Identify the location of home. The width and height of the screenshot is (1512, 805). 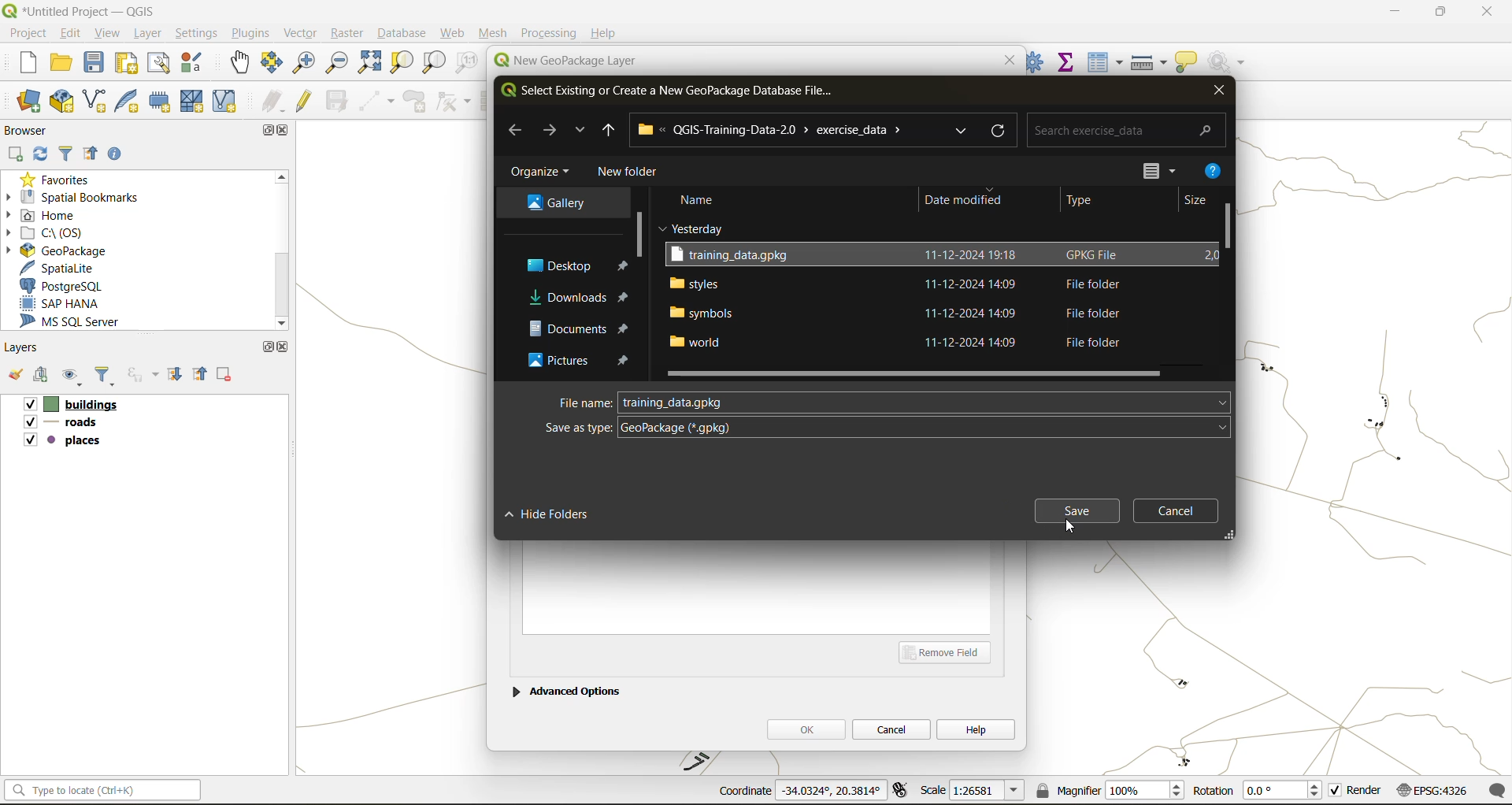
(47, 215).